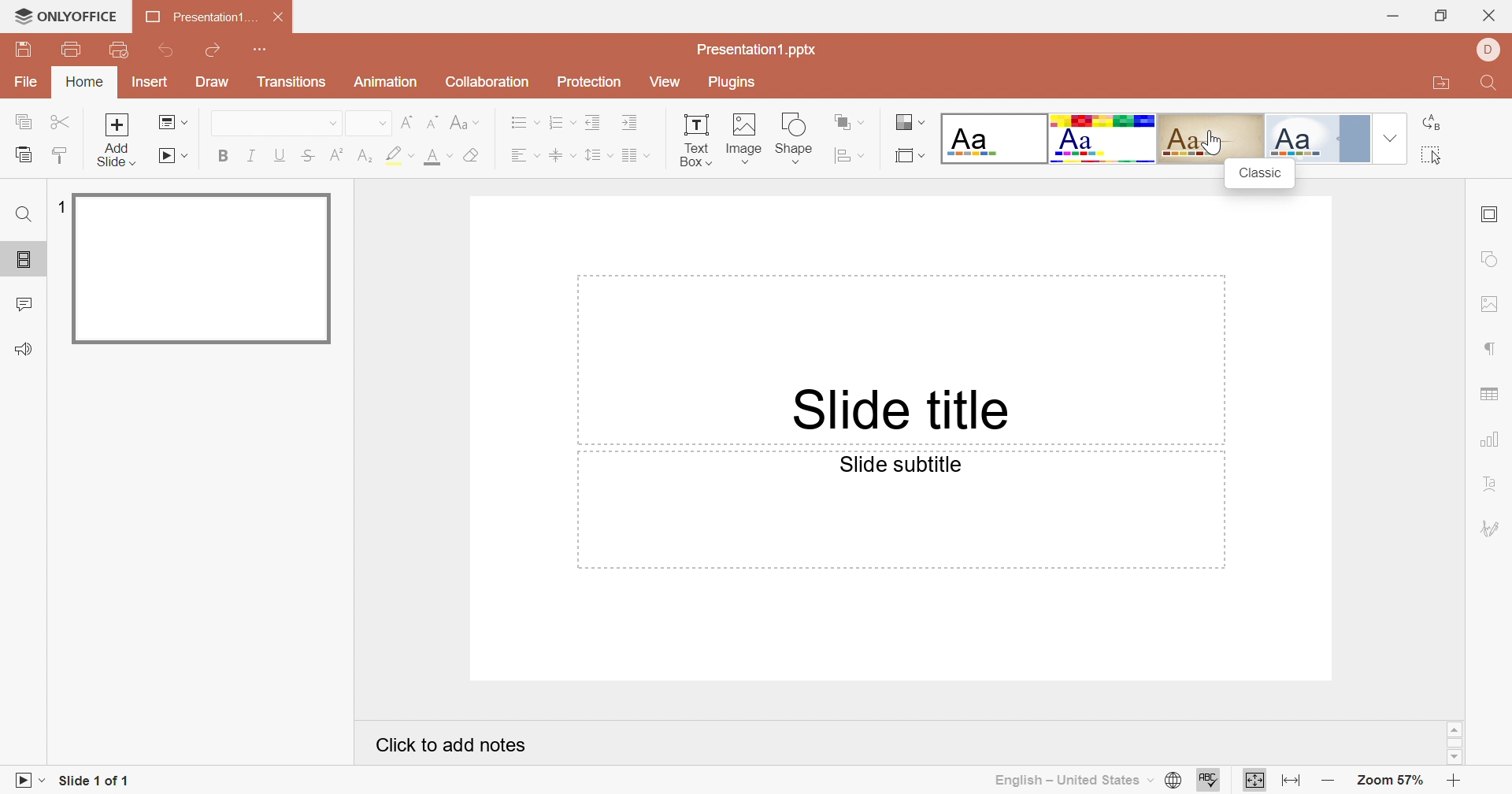  What do you see at coordinates (1390, 18) in the screenshot?
I see `Minimize` at bounding box center [1390, 18].